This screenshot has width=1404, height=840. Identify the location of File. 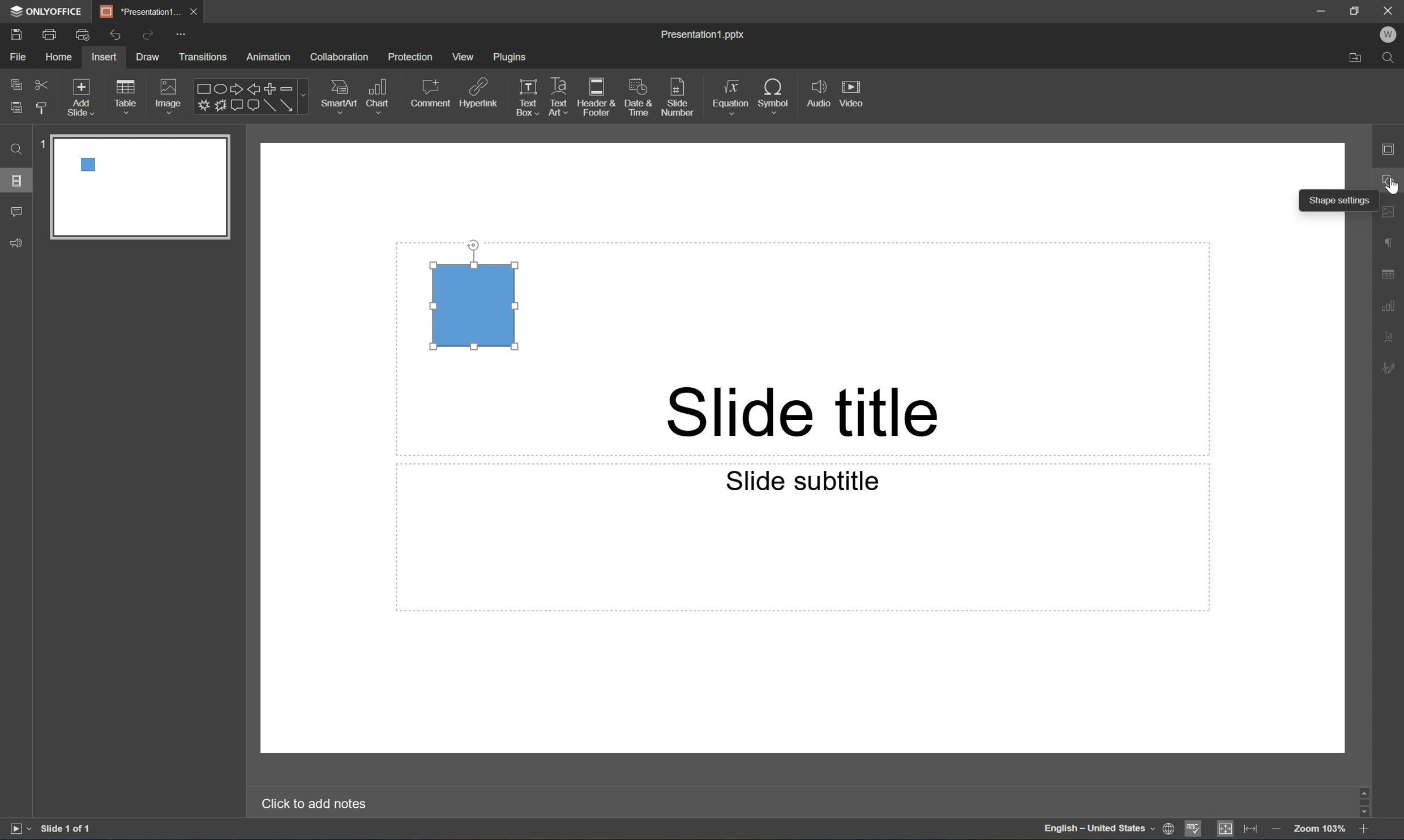
(18, 57).